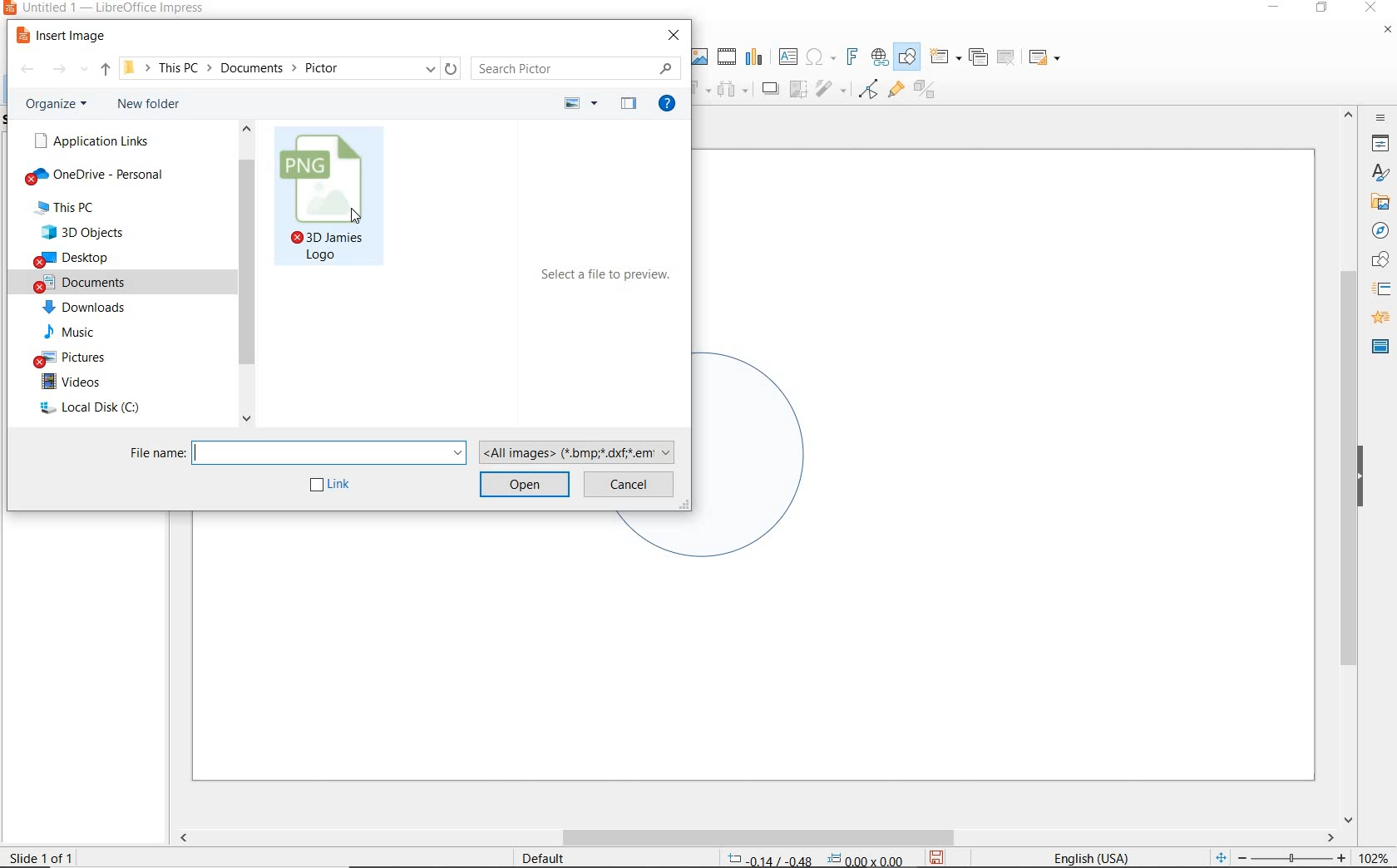 This screenshot has width=1397, height=868. Describe the element at coordinates (868, 86) in the screenshot. I see `filter` at that location.